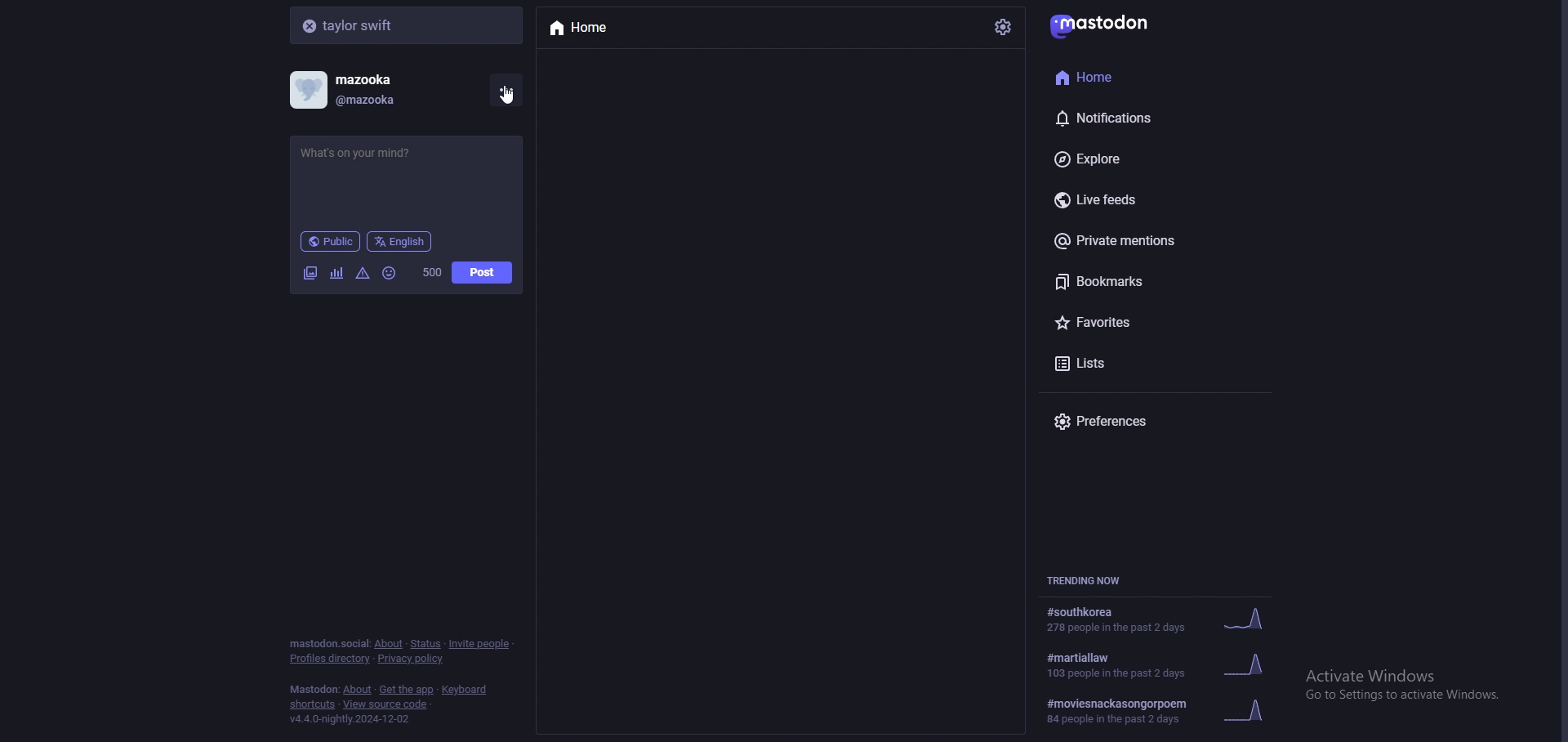 The image size is (1568, 742). Describe the element at coordinates (1143, 159) in the screenshot. I see `explore` at that location.